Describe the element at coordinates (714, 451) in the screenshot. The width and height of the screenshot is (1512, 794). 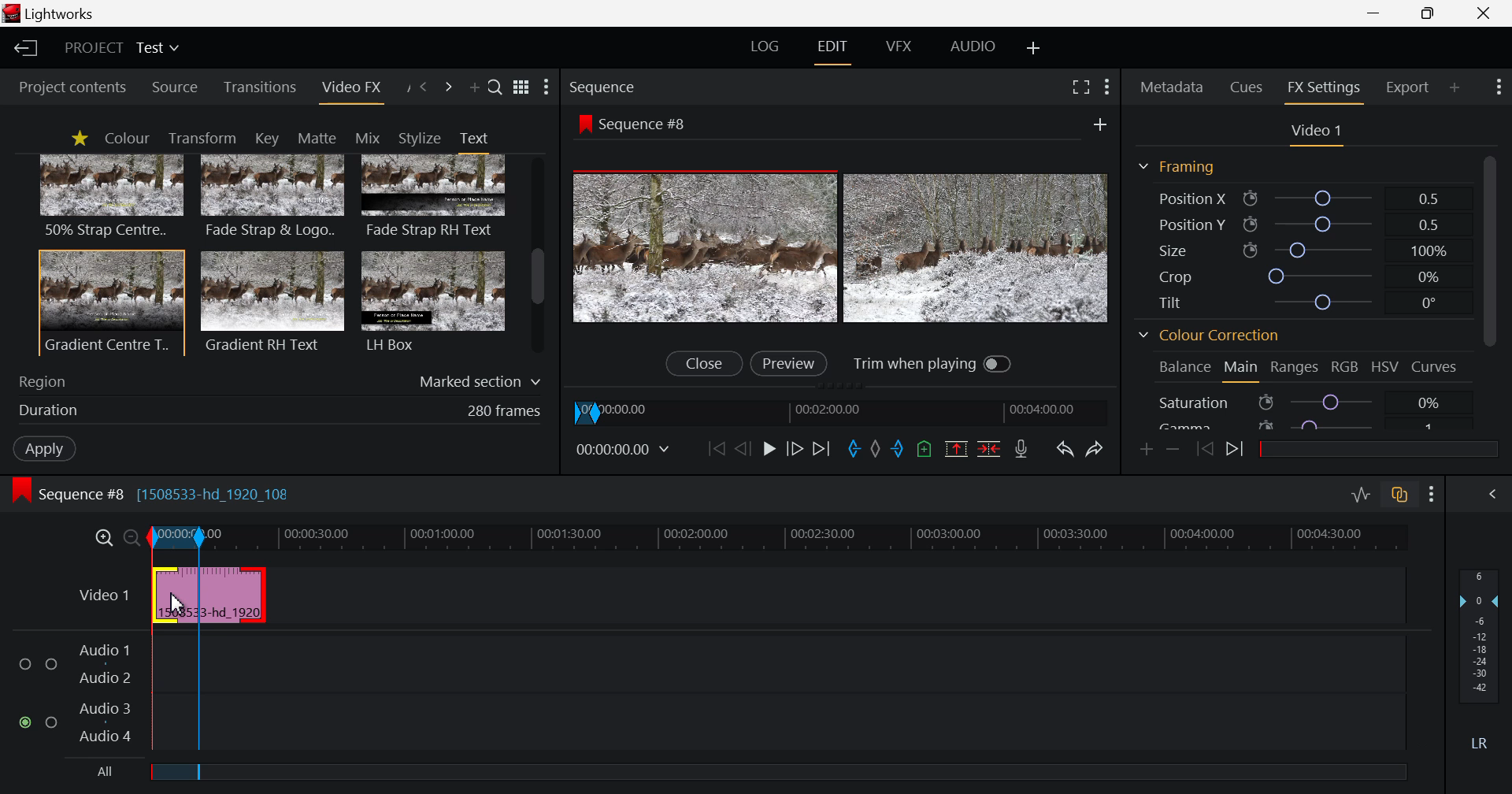
I see `To start` at that location.